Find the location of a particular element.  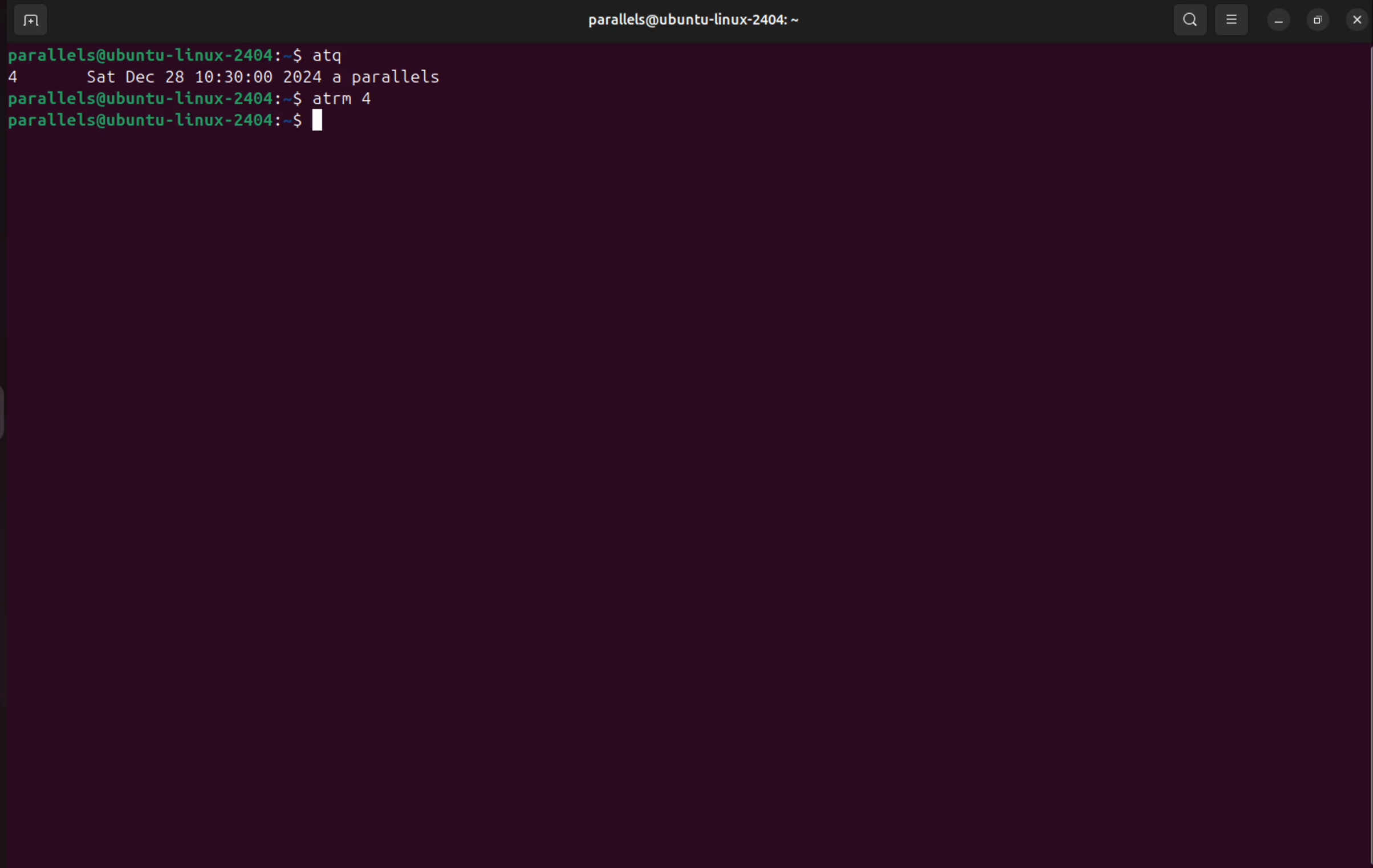

task 4 is located at coordinates (234, 78).